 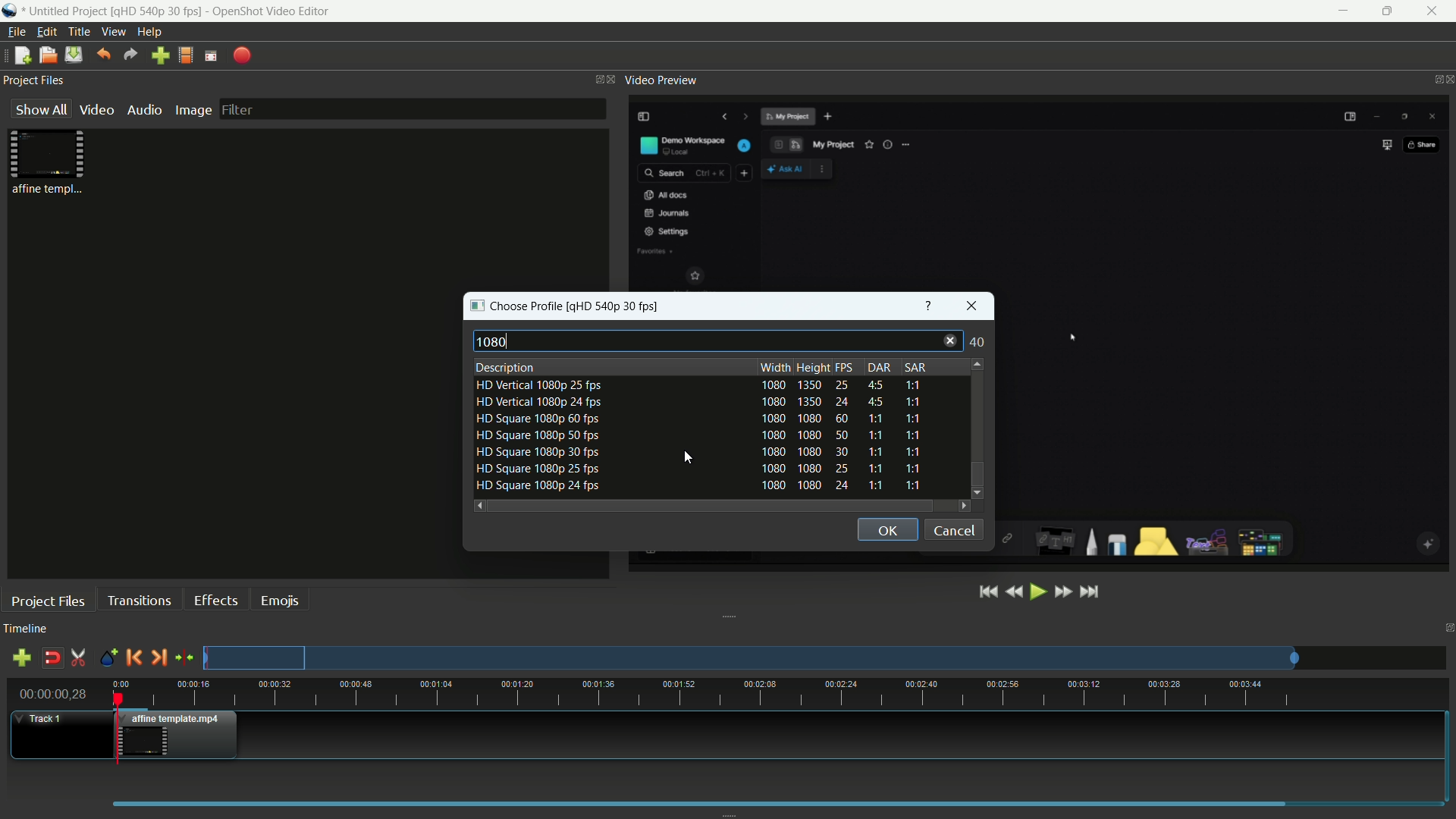 I want to click on jump to start, so click(x=990, y=592).